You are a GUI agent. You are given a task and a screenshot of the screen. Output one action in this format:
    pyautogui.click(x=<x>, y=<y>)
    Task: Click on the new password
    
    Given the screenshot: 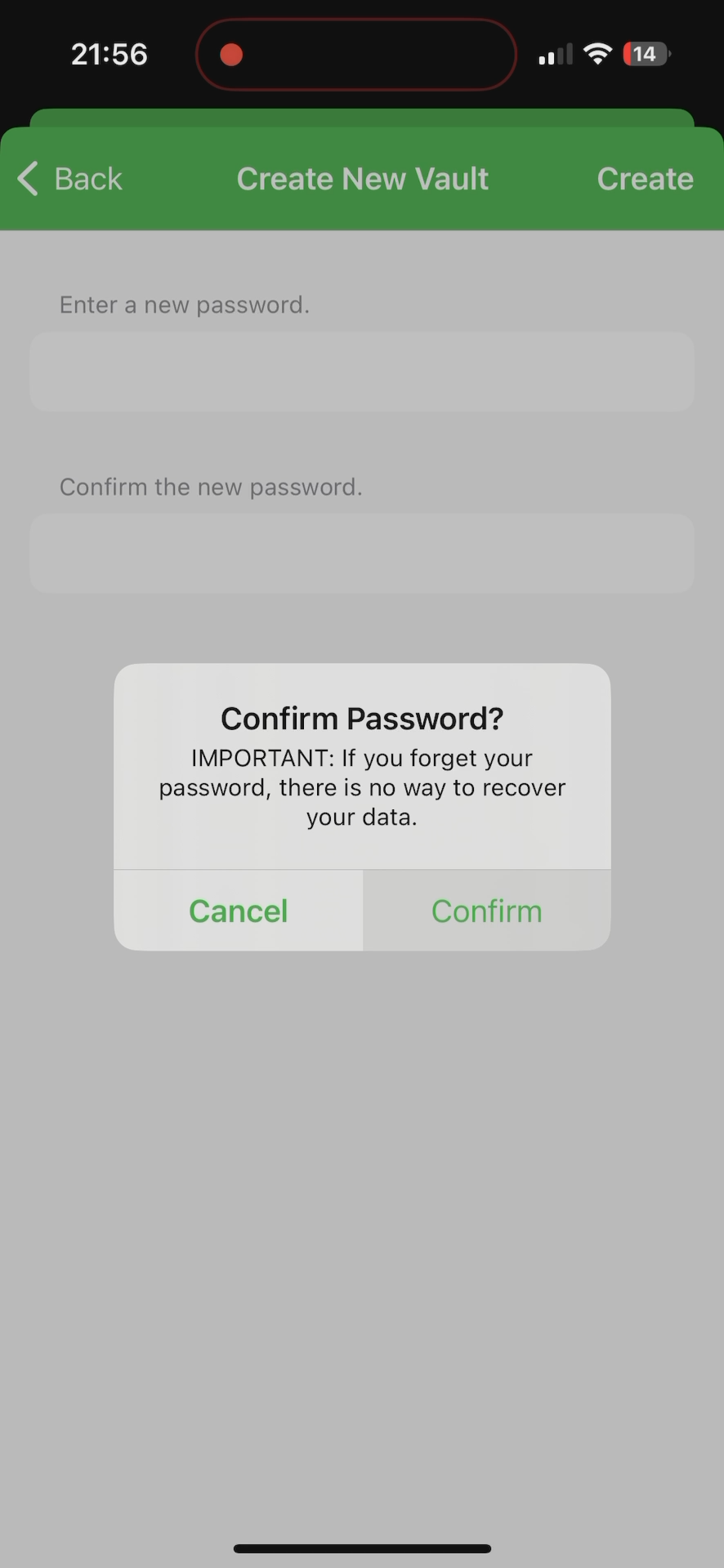 What is the action you would take?
    pyautogui.click(x=364, y=563)
    